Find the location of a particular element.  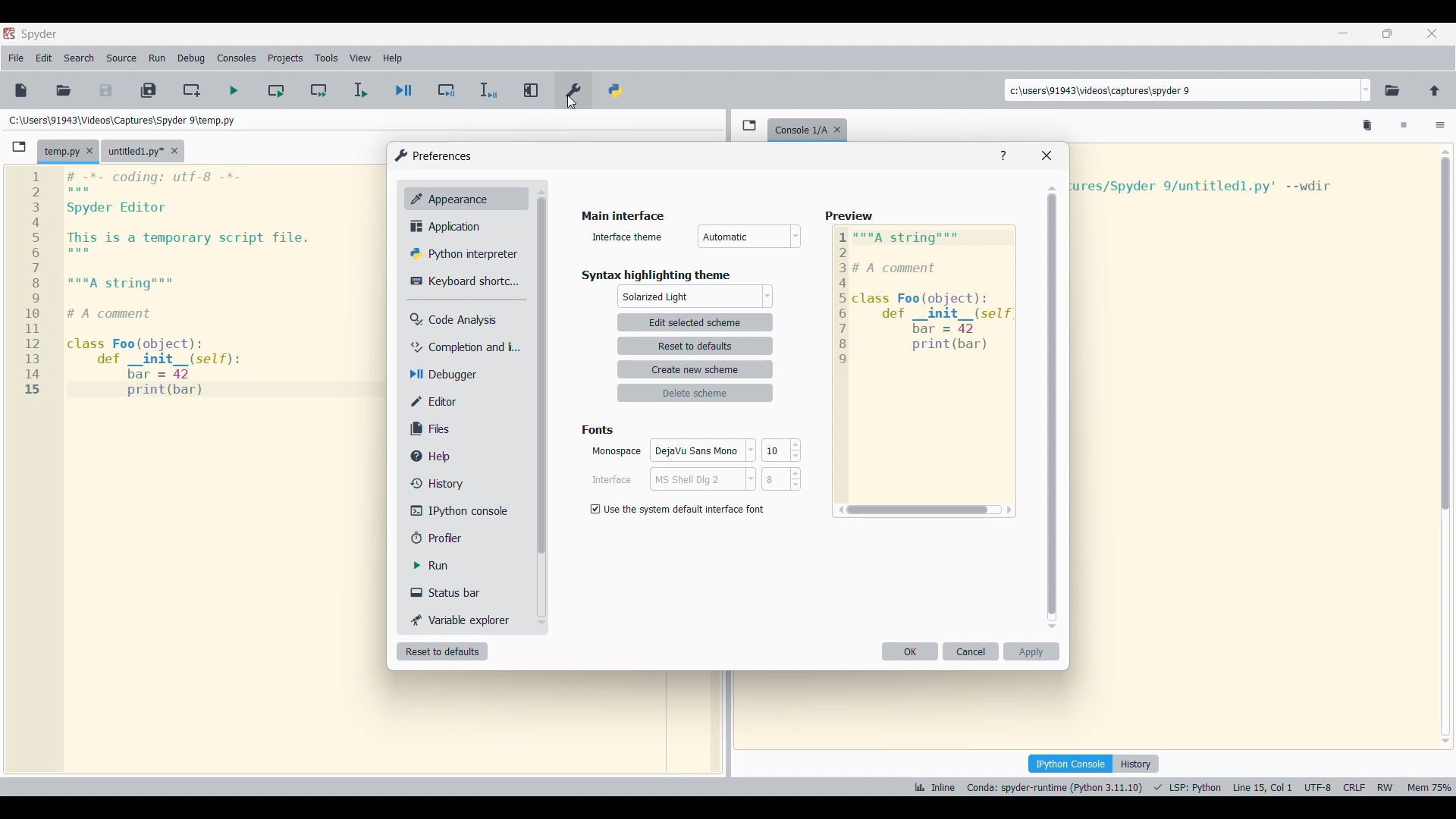

Window logo and title is located at coordinates (433, 155).